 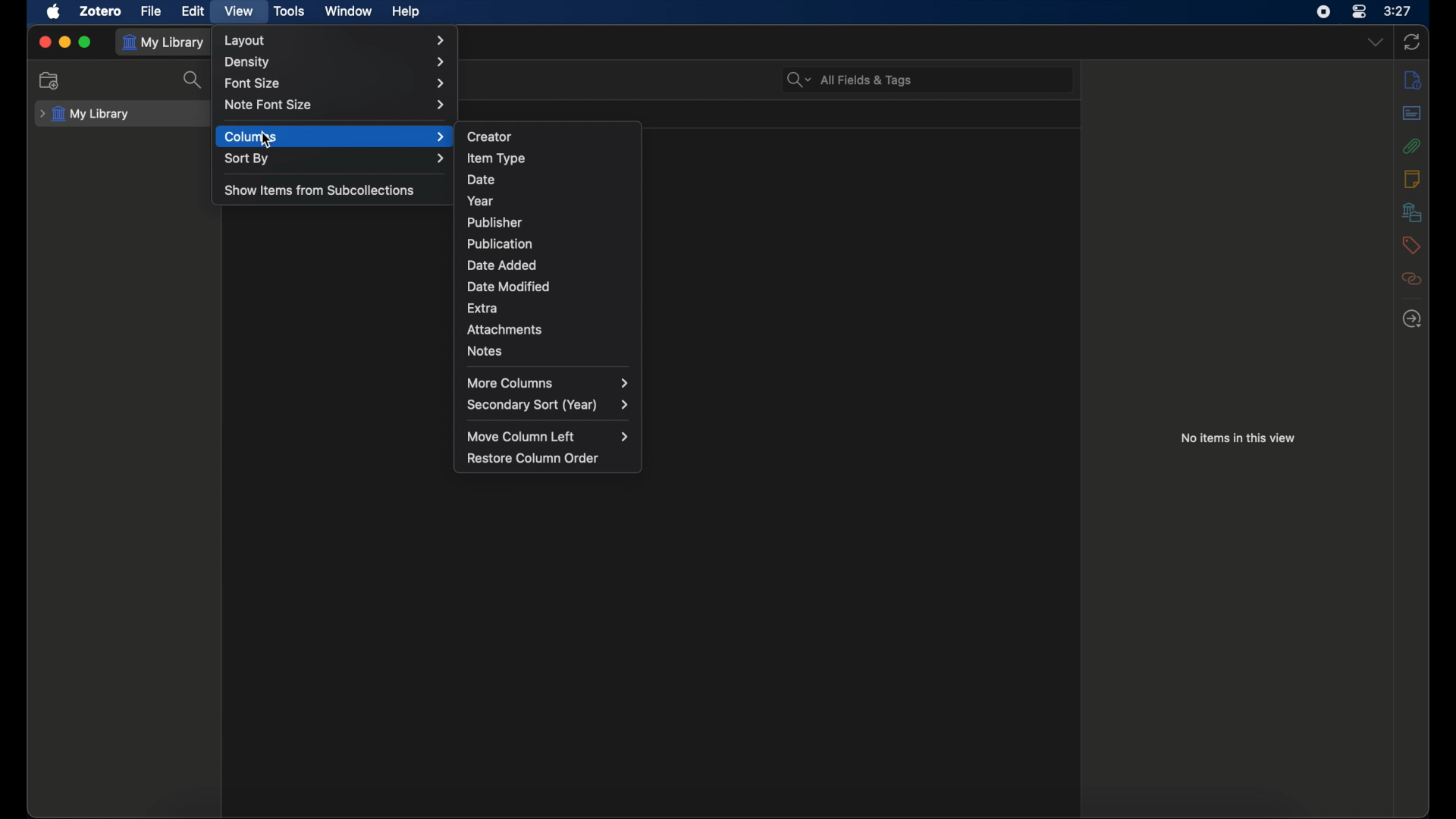 I want to click on my library, so click(x=167, y=45).